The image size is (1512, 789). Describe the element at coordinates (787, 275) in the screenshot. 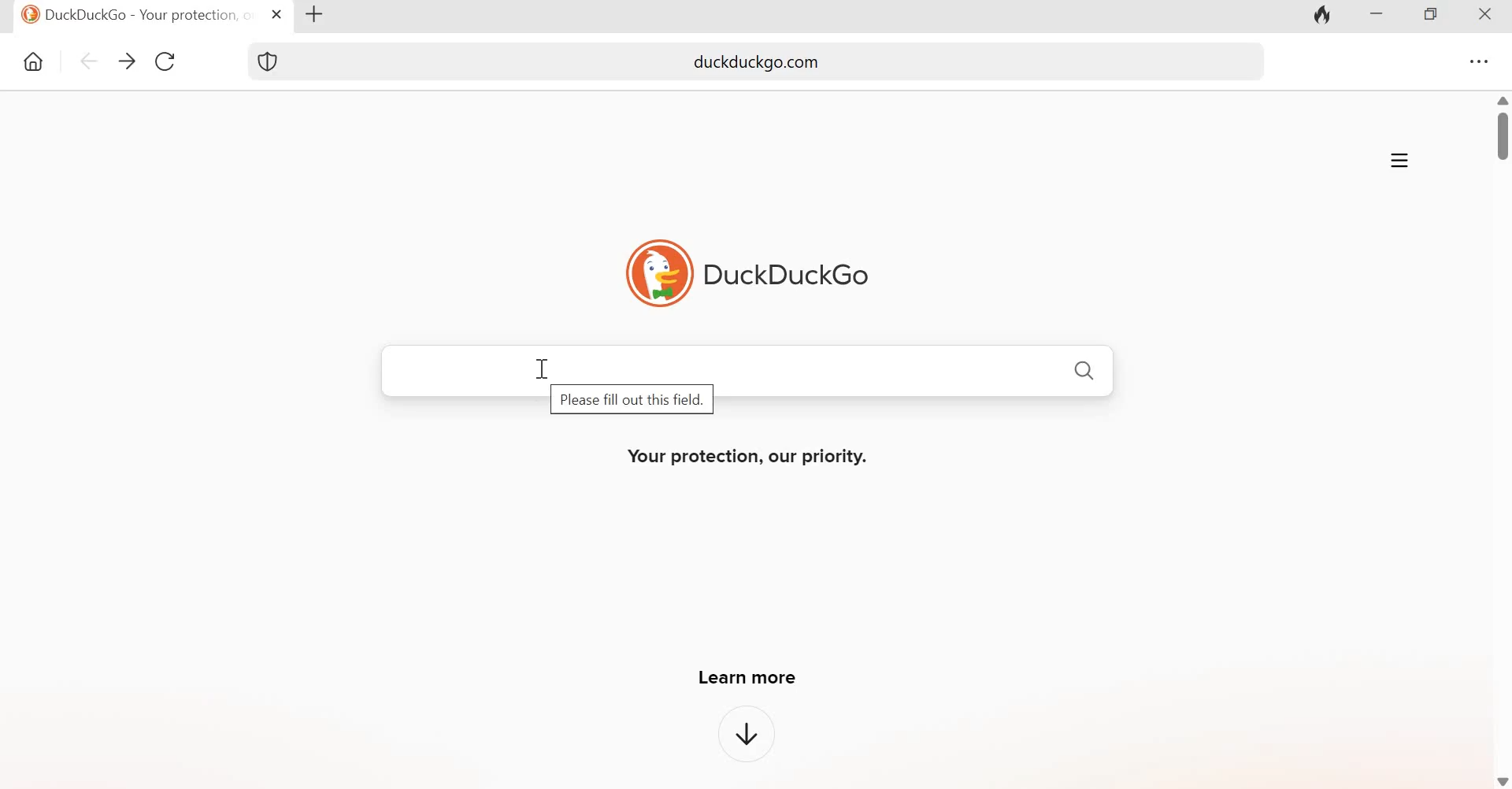

I see `DuckDuckGo` at that location.